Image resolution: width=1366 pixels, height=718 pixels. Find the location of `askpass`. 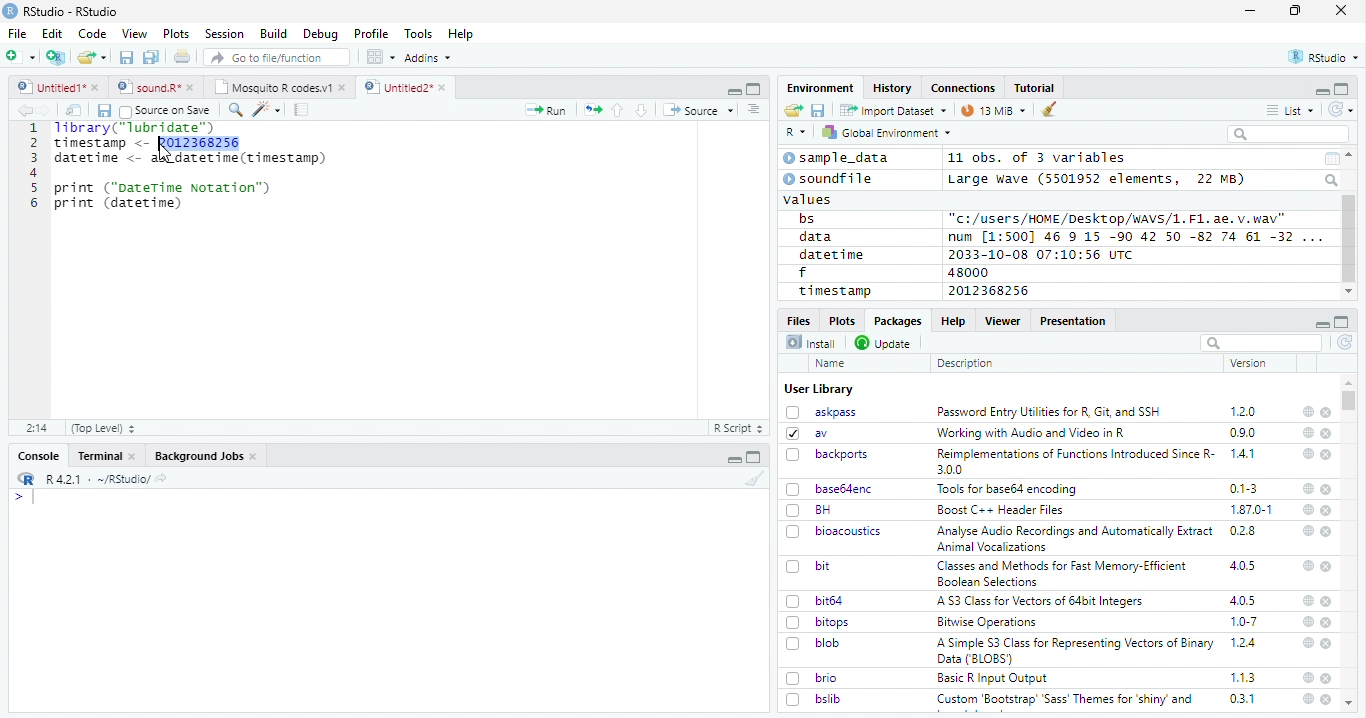

askpass is located at coordinates (820, 412).